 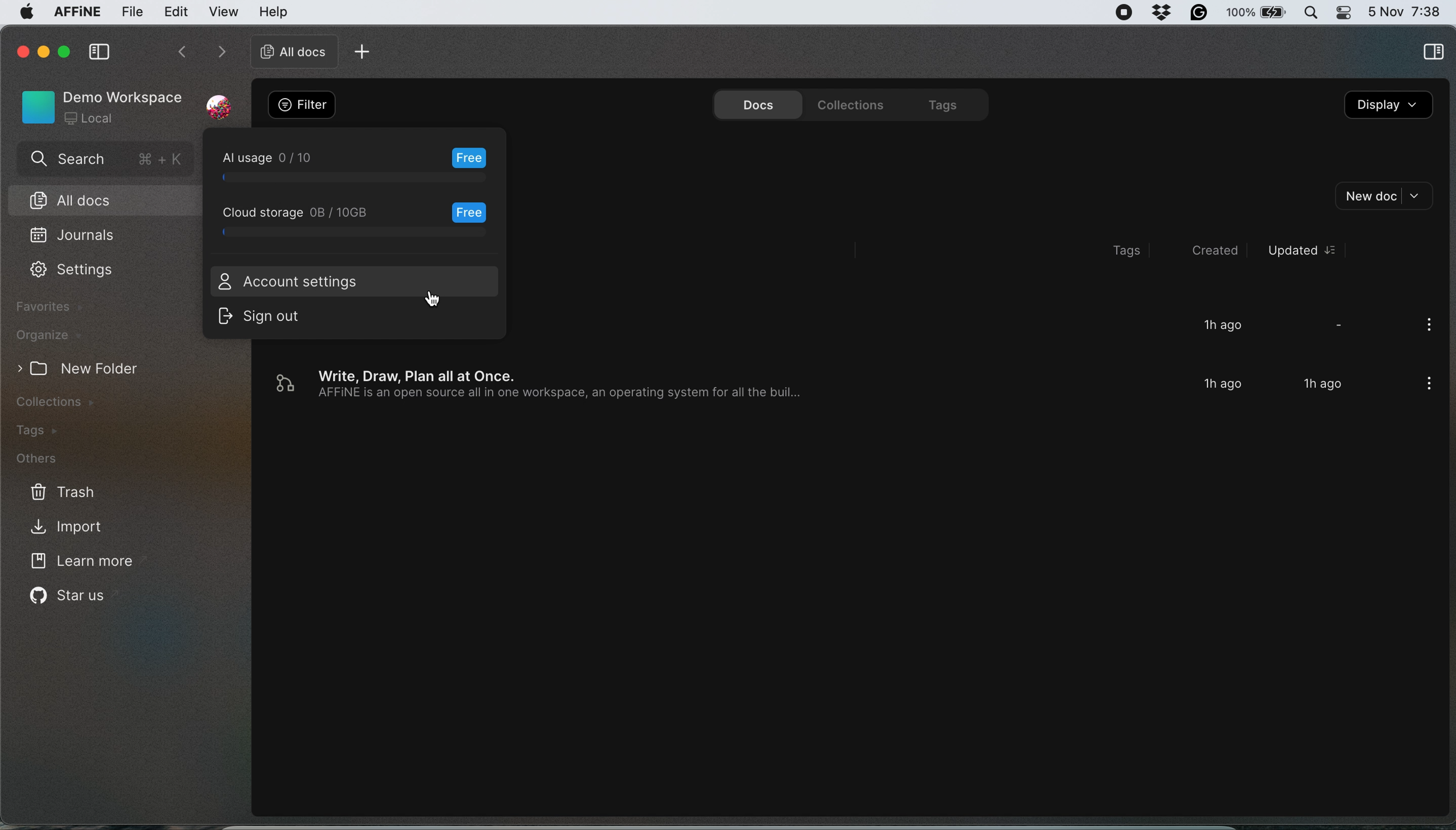 What do you see at coordinates (754, 103) in the screenshot?
I see `docs` at bounding box center [754, 103].